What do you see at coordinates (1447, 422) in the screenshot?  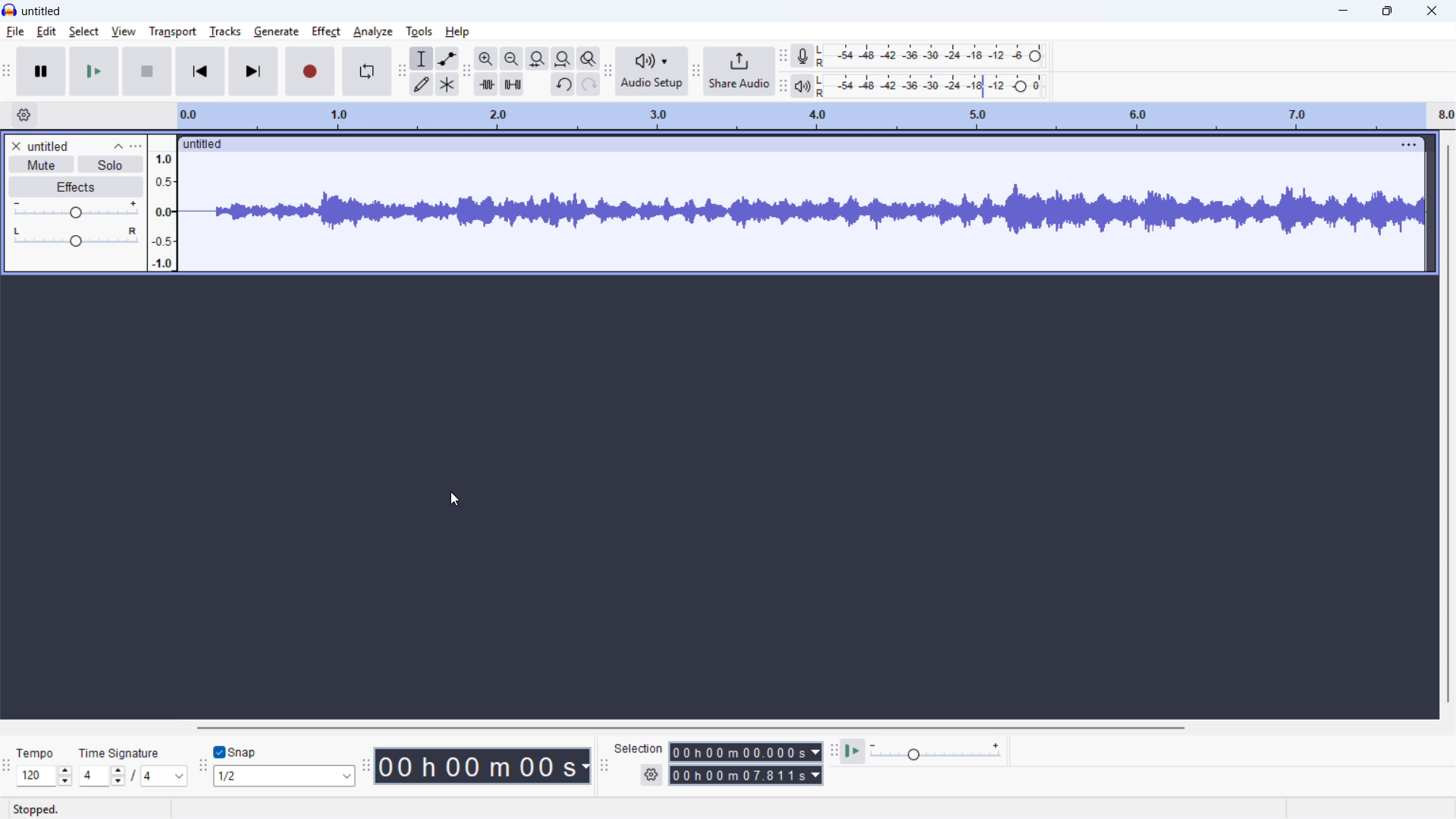 I see `vertical scrollbar` at bounding box center [1447, 422].